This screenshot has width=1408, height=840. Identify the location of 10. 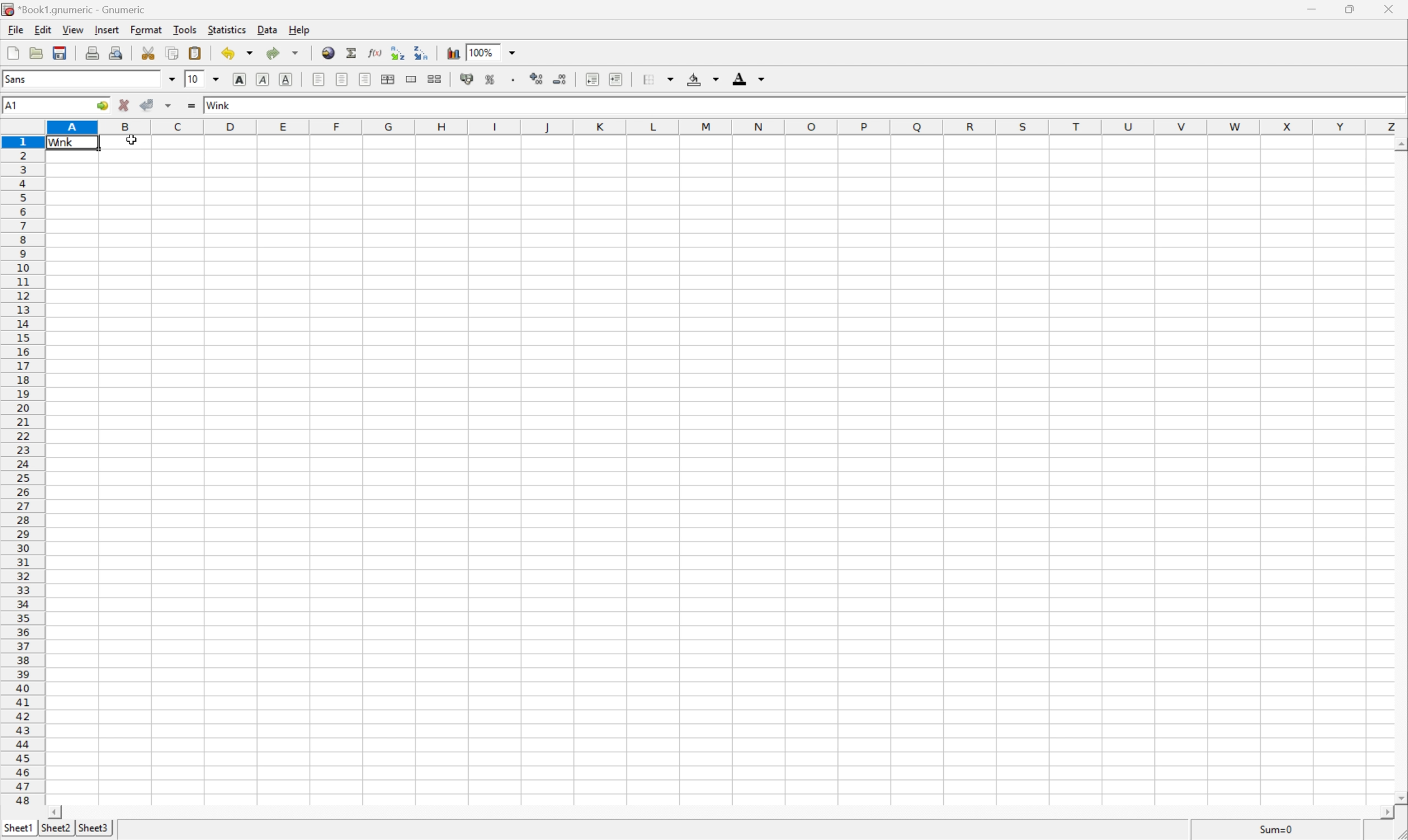
(195, 78).